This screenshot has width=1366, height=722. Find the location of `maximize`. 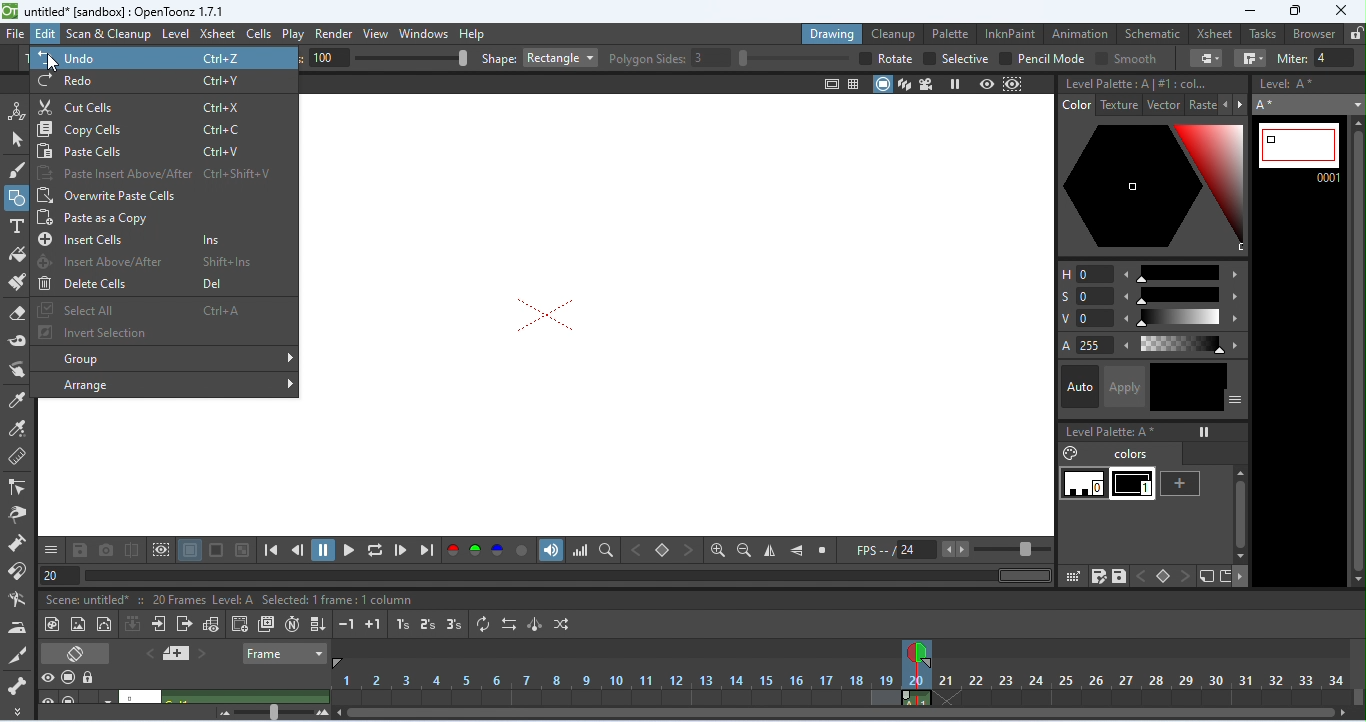

maximize is located at coordinates (1296, 11).